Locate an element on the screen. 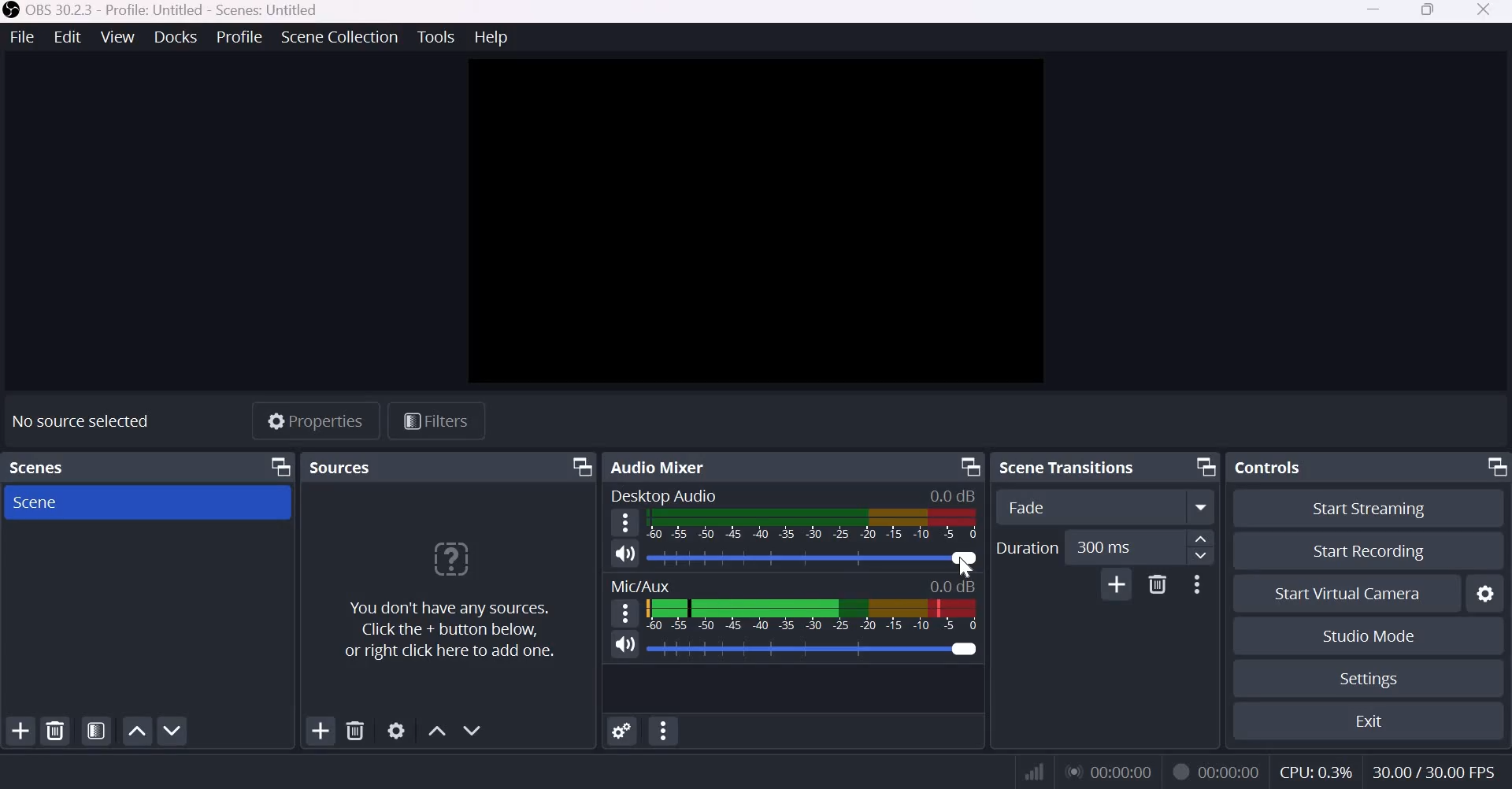  Open scene filters is located at coordinates (97, 732).